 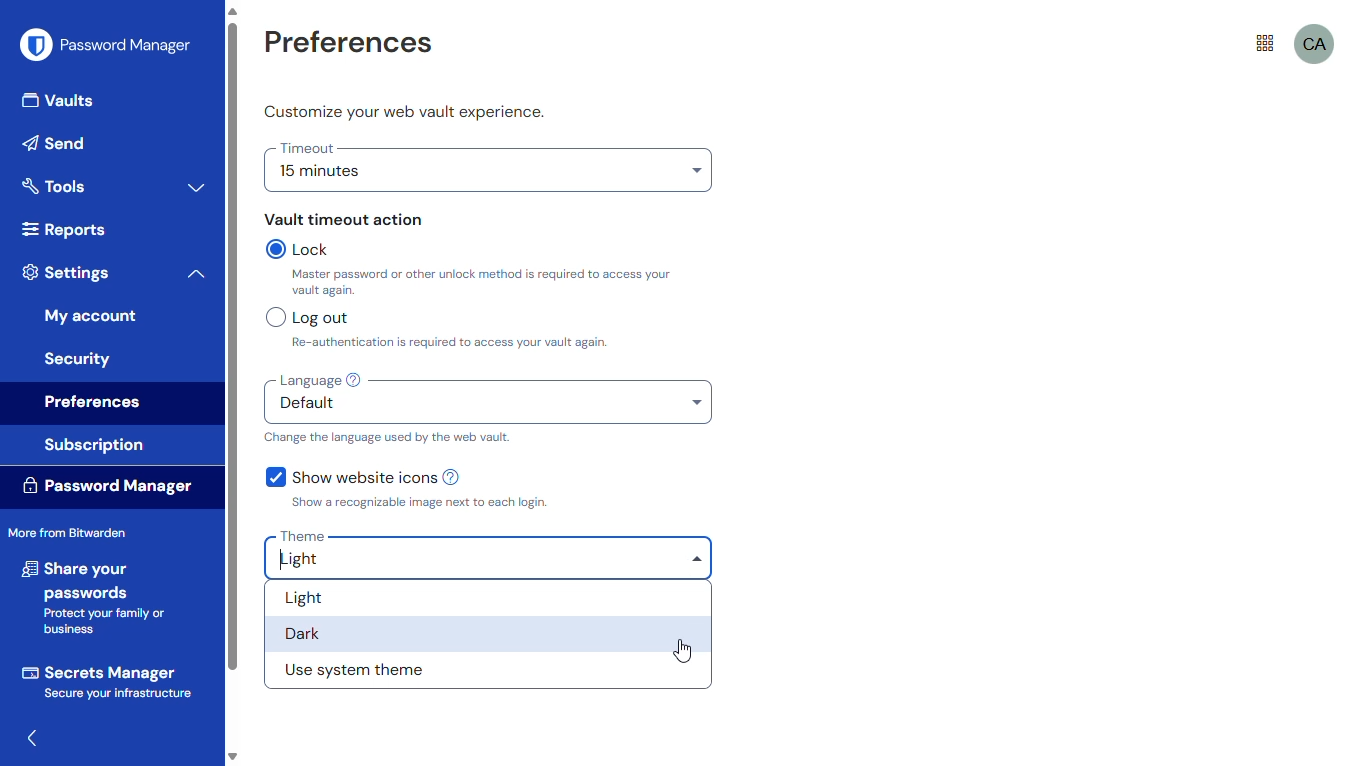 What do you see at coordinates (488, 175) in the screenshot?
I see `15 minutes` at bounding box center [488, 175].